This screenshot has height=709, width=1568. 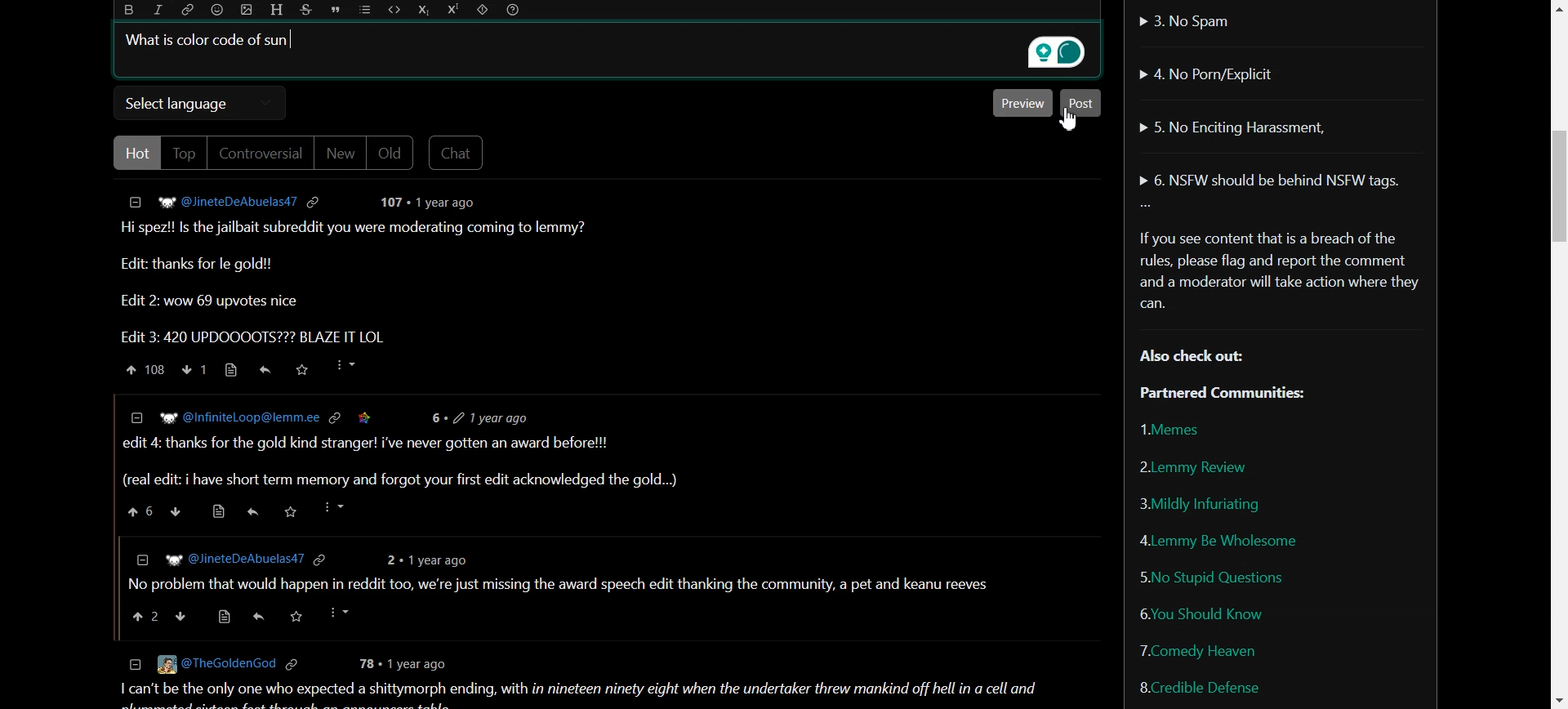 I want to click on Quote, so click(x=336, y=10).